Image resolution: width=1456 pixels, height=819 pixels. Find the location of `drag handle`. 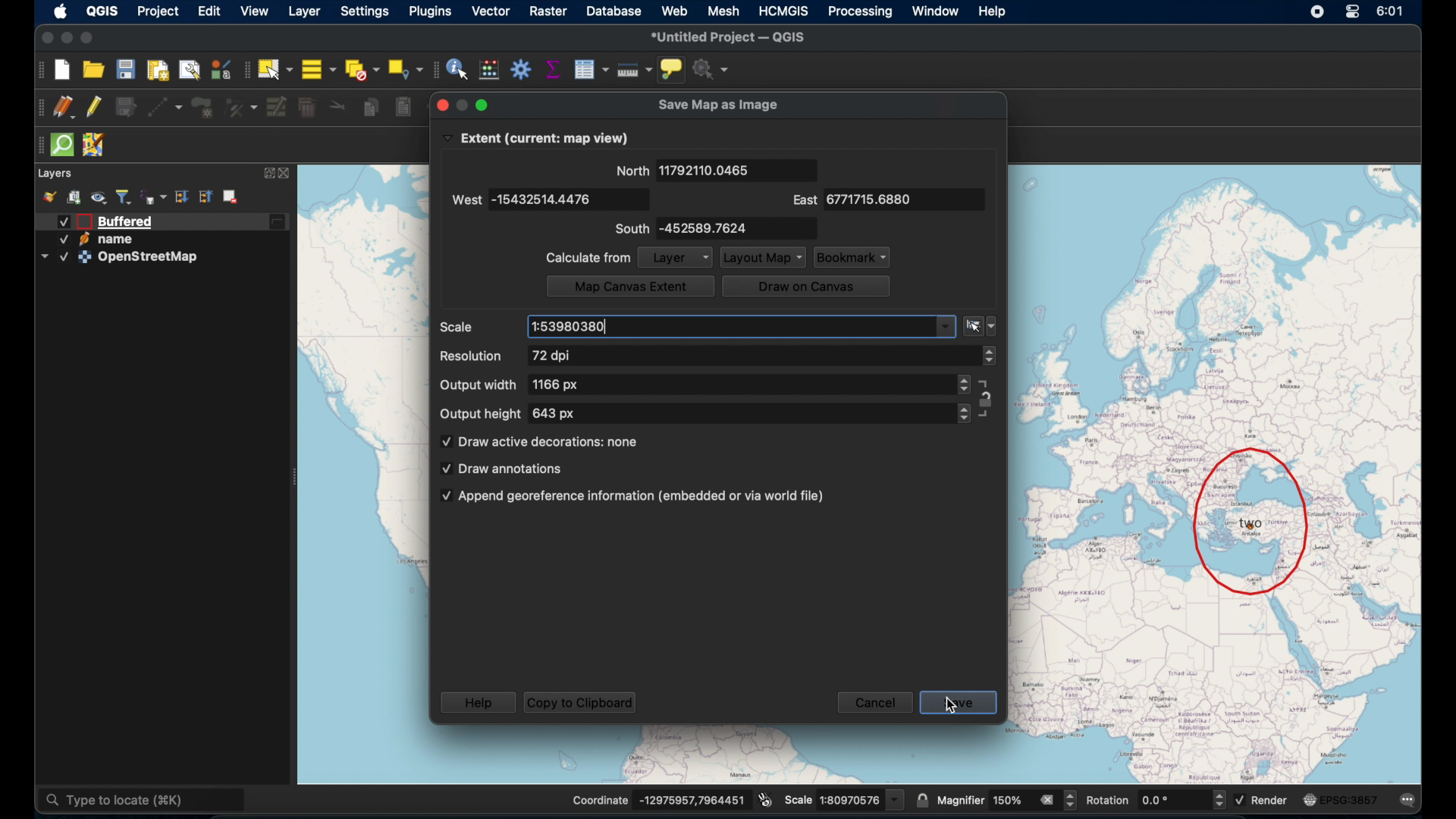

drag handle is located at coordinates (436, 69).